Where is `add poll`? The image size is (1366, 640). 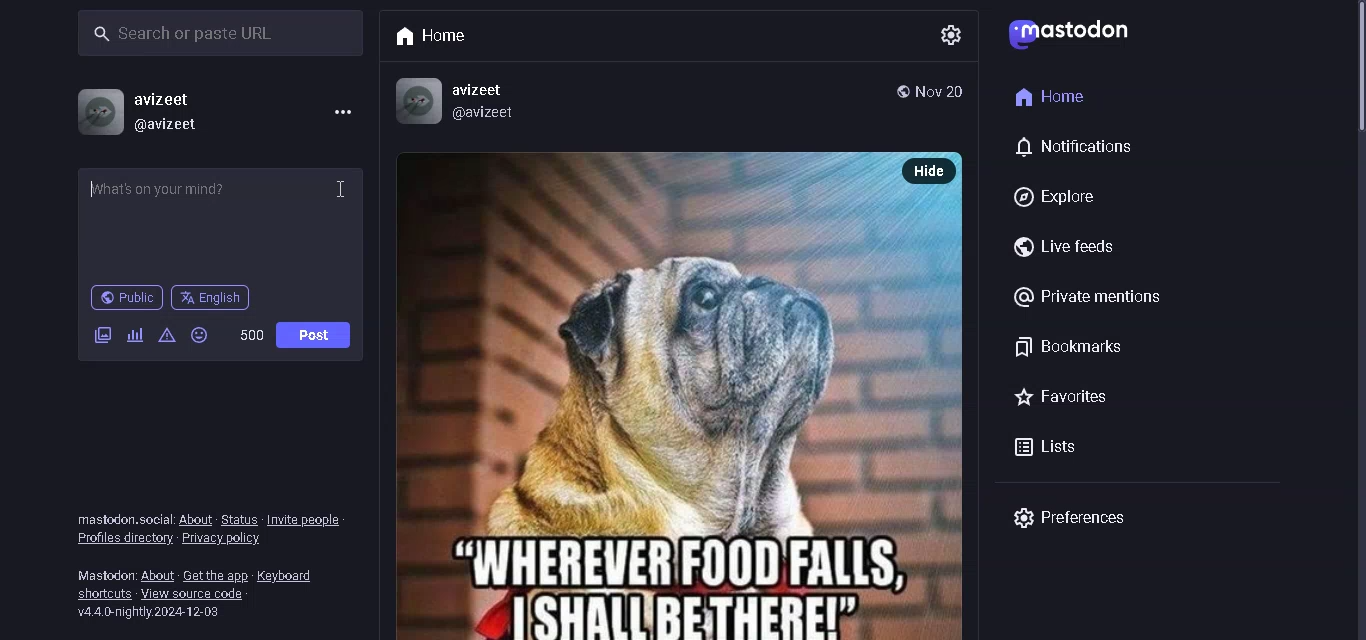 add poll is located at coordinates (134, 336).